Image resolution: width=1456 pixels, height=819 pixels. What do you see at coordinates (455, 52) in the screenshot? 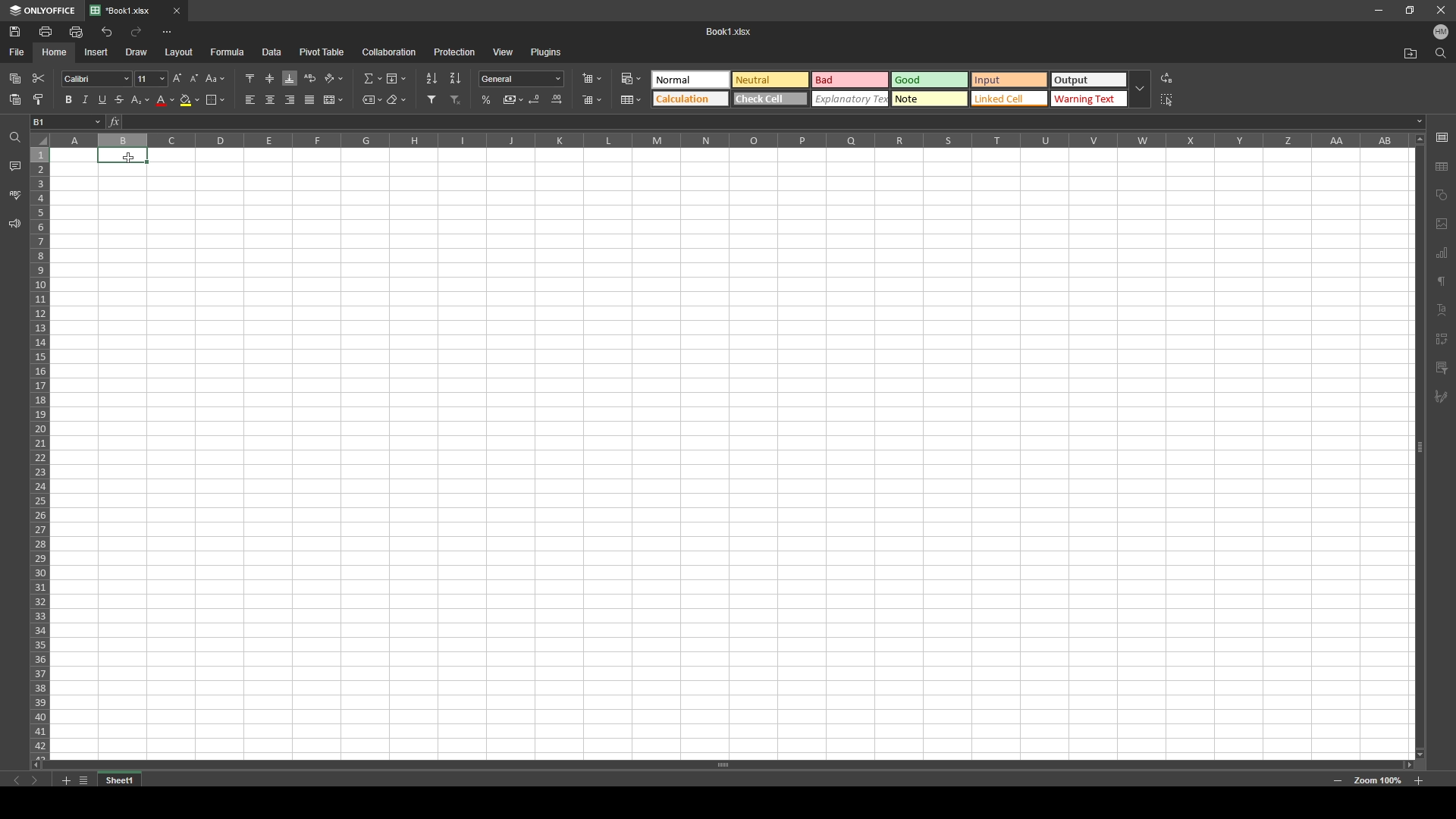
I see `protection` at bounding box center [455, 52].